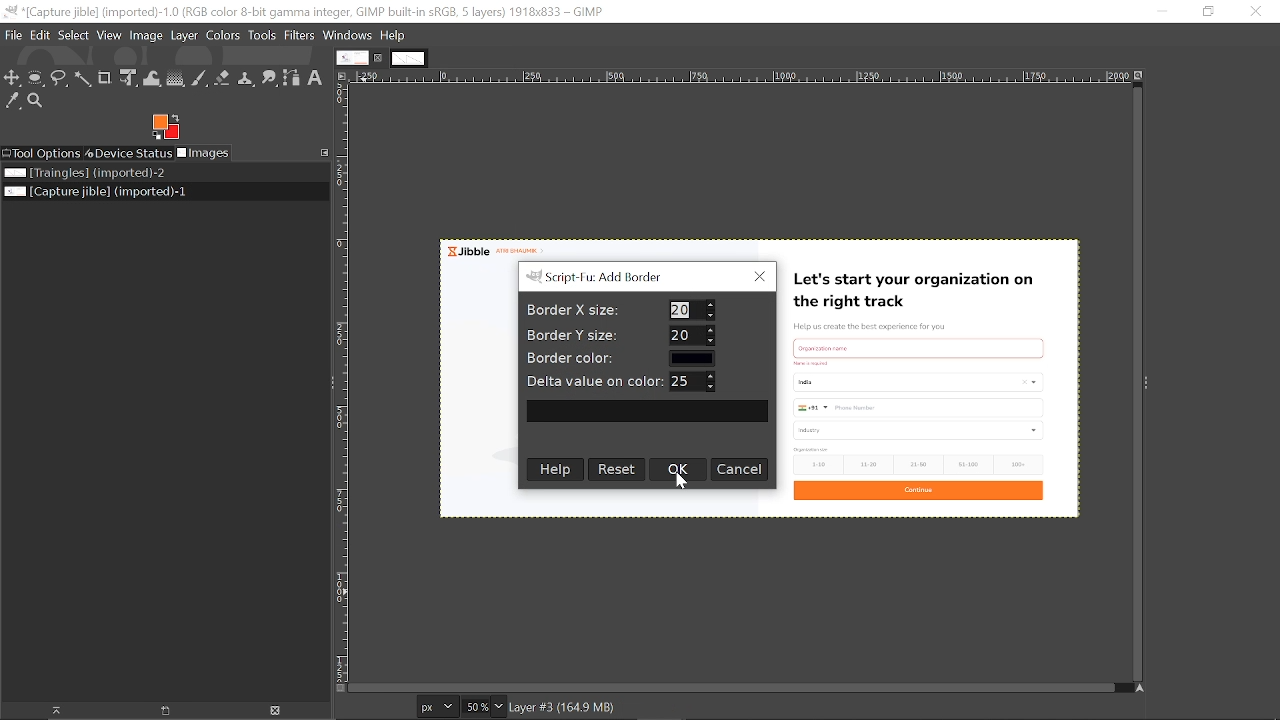 This screenshot has width=1280, height=720. Describe the element at coordinates (1157, 11) in the screenshot. I see `Minimize` at that location.